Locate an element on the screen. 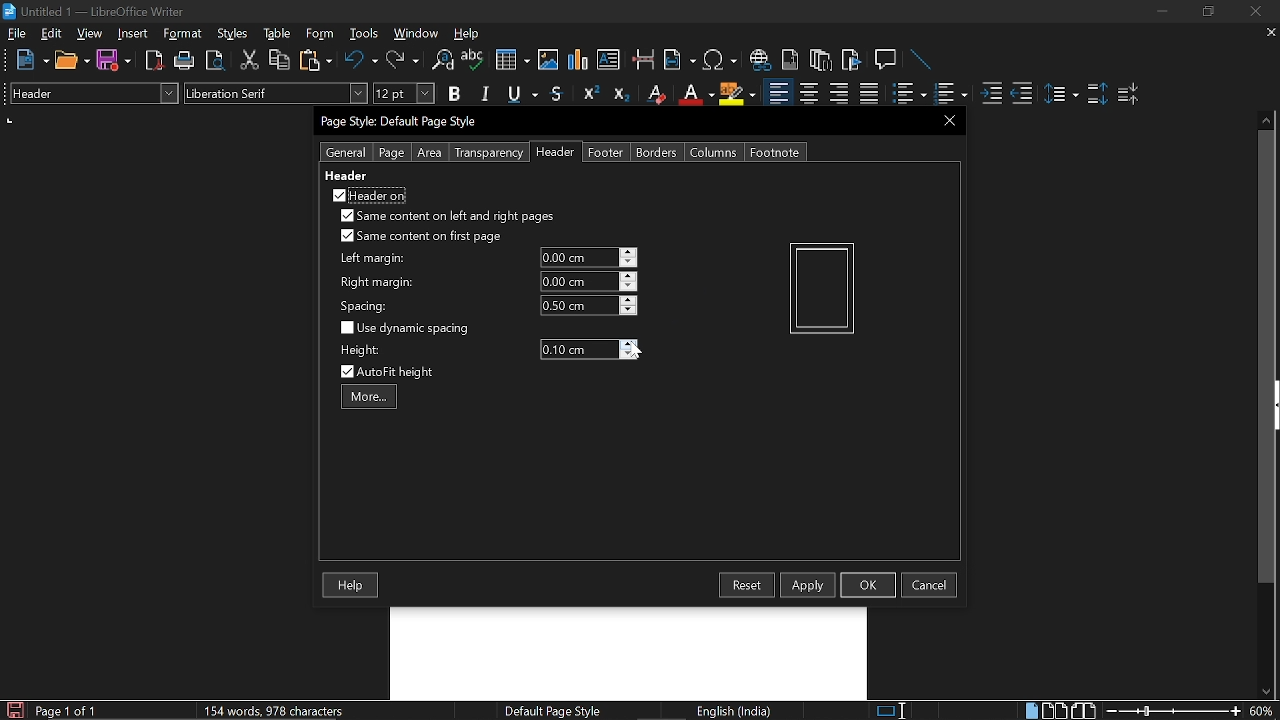 The width and height of the screenshot is (1280, 720). Close current tab is located at coordinates (1267, 32).